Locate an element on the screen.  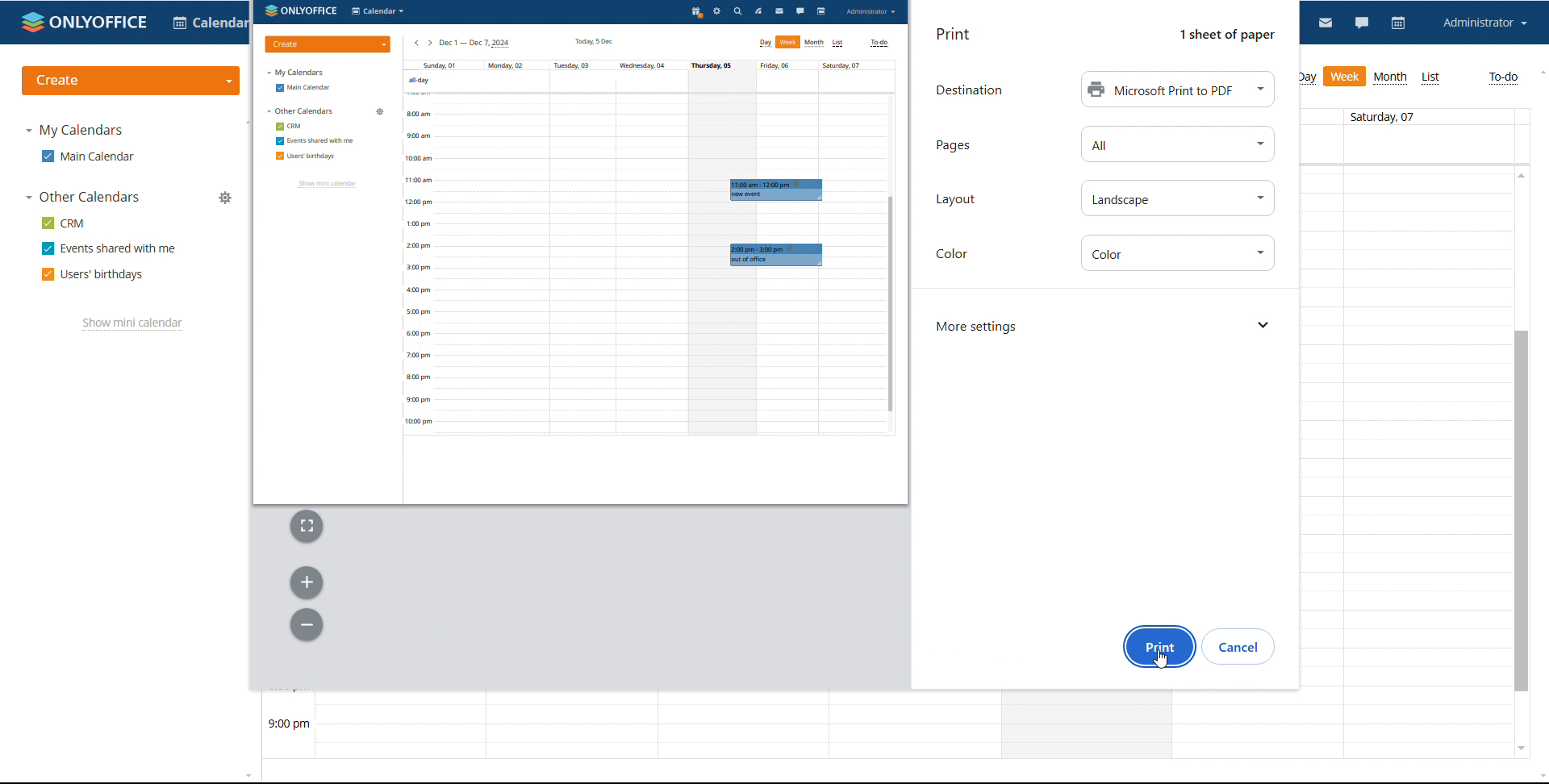
text is located at coordinates (955, 201).